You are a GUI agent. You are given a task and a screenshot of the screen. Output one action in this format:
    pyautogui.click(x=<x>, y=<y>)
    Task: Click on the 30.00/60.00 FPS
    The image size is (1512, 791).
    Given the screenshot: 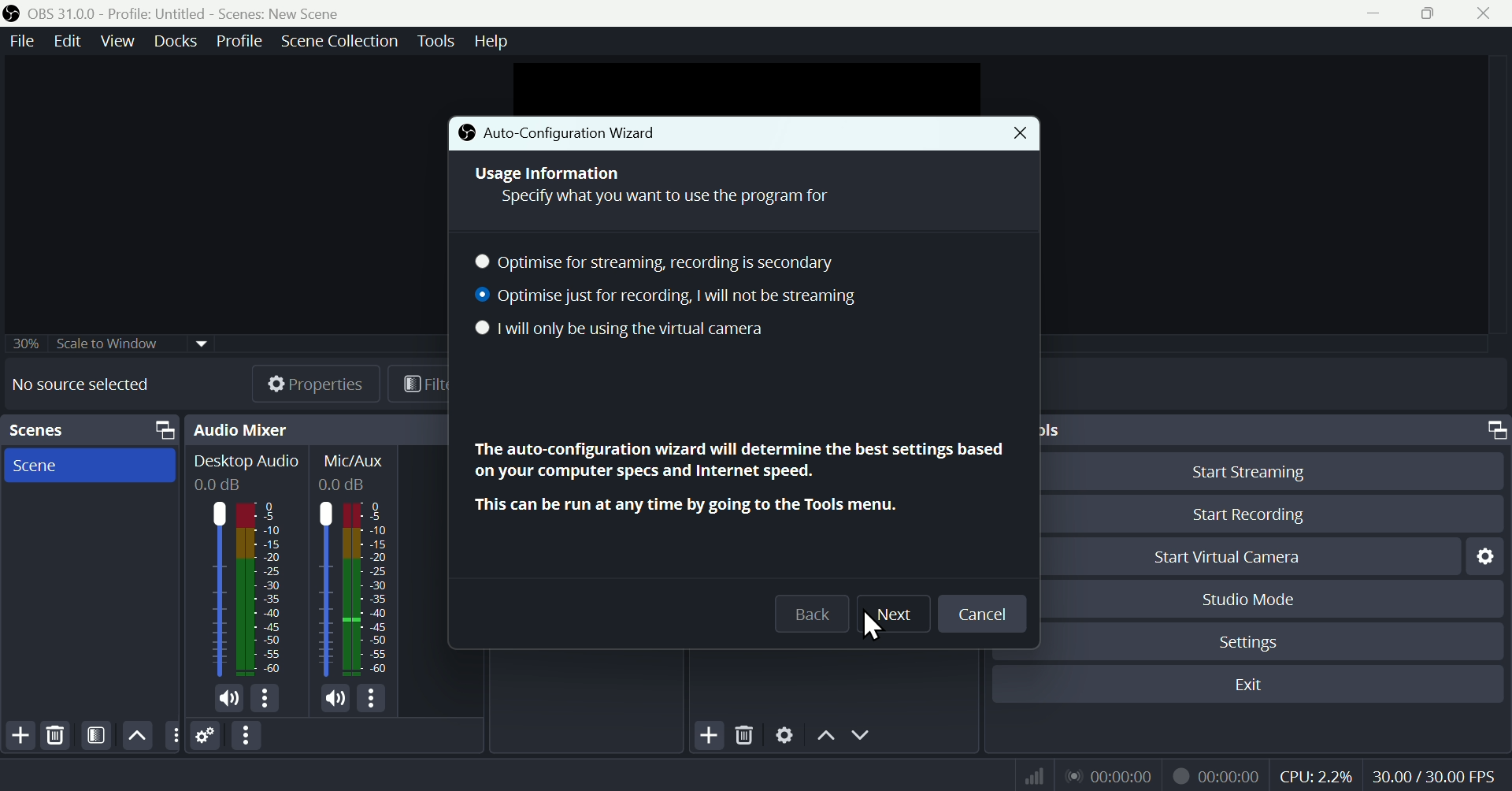 What is the action you would take?
    pyautogui.click(x=1438, y=772)
    